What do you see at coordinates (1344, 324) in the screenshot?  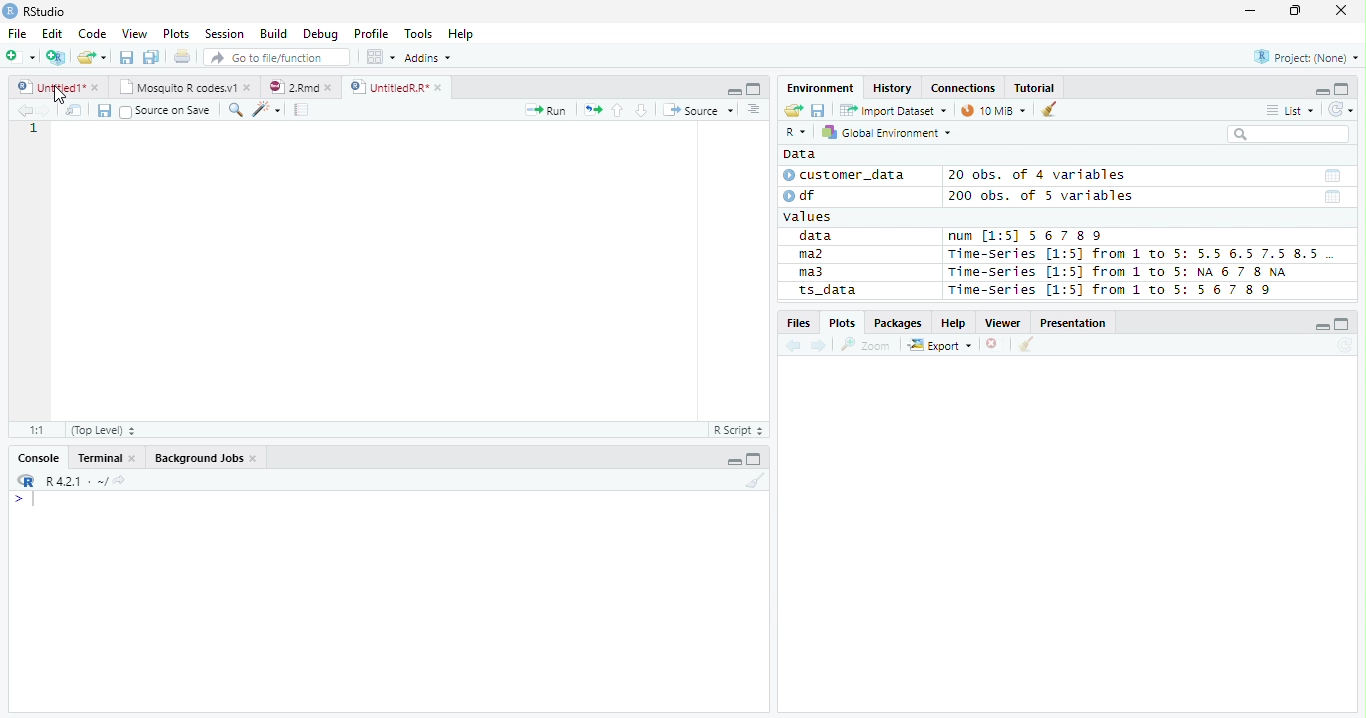 I see `Maximize` at bounding box center [1344, 324].